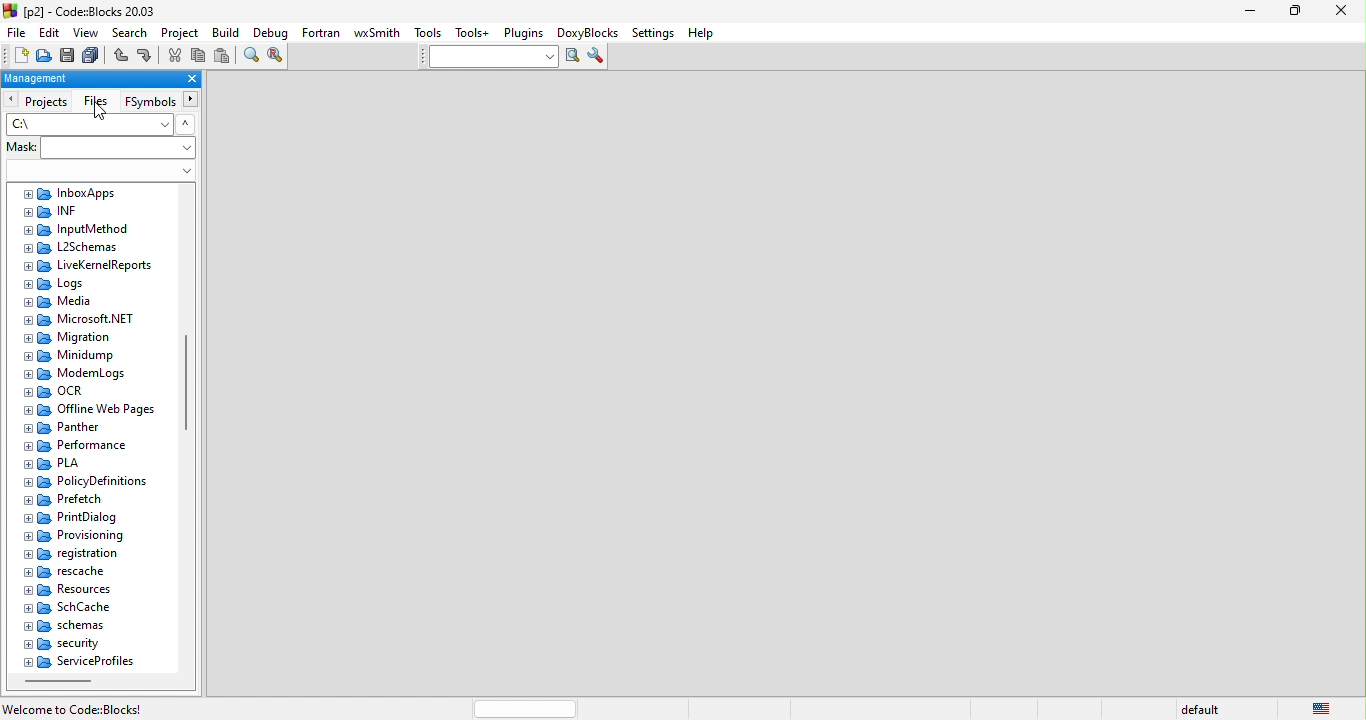 The height and width of the screenshot is (720, 1366). What do you see at coordinates (173, 56) in the screenshot?
I see `cut` at bounding box center [173, 56].